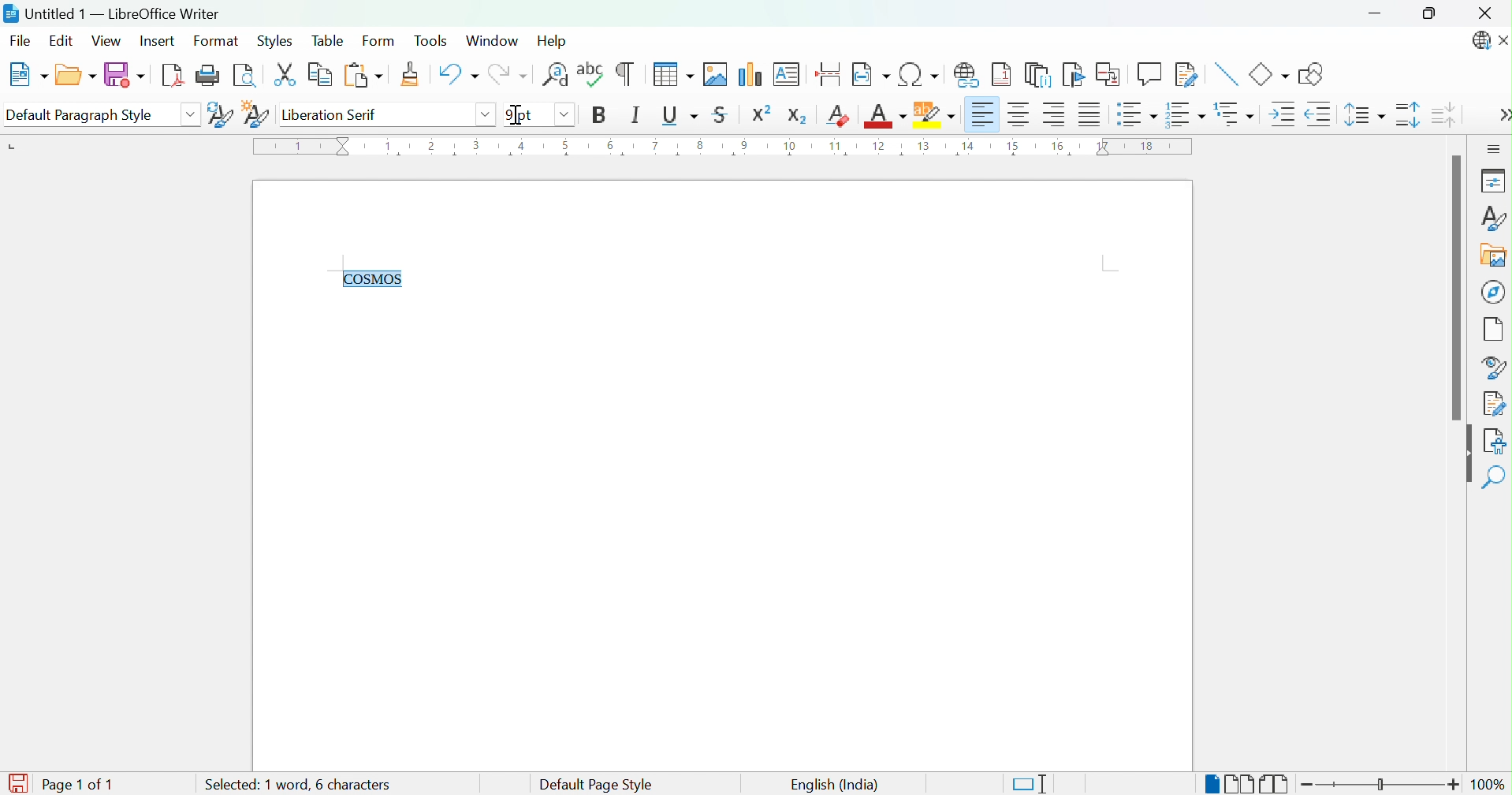  Describe the element at coordinates (920, 75) in the screenshot. I see `Insert Special Characters` at that location.